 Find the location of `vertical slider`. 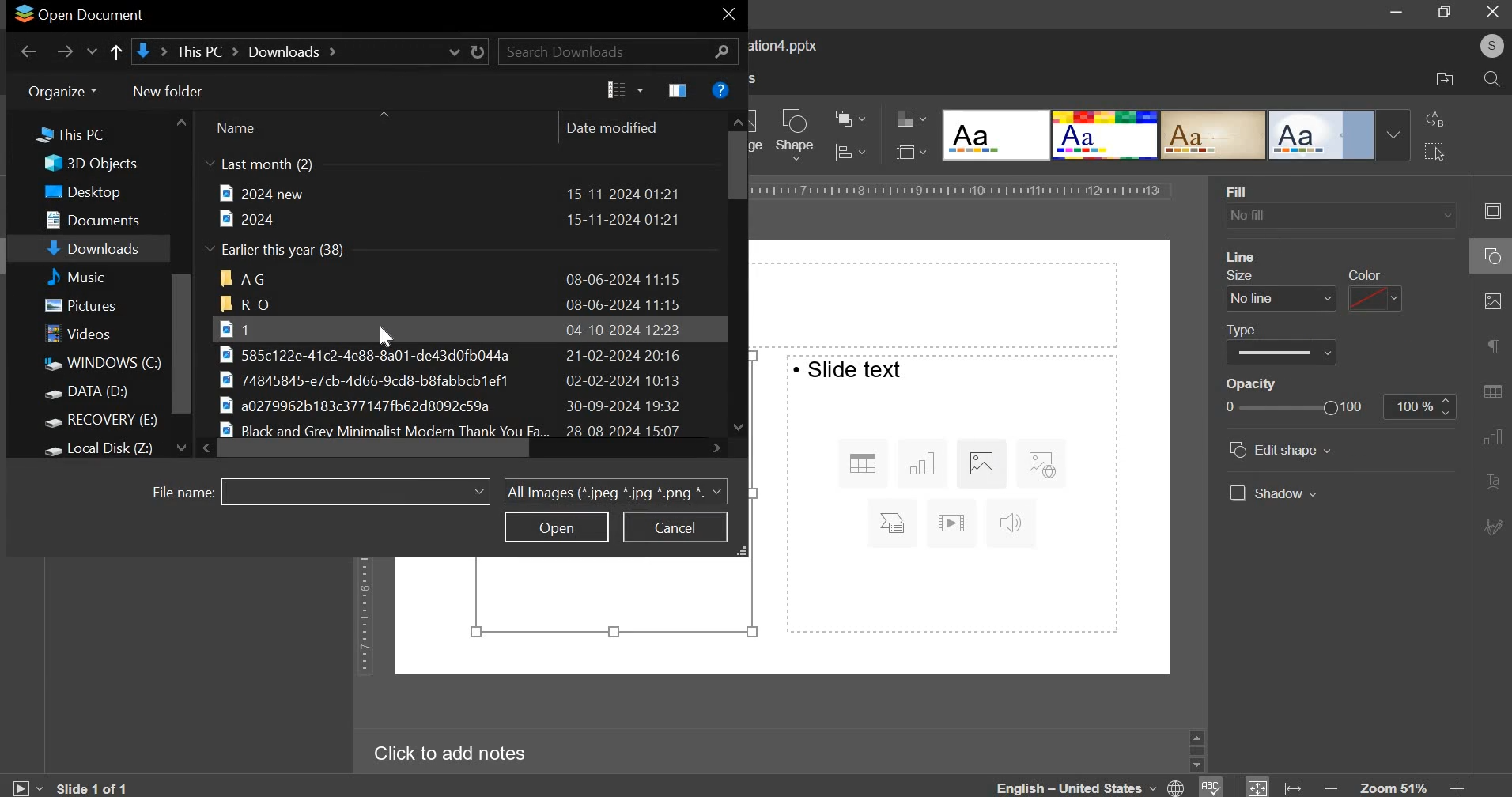

vertical slider is located at coordinates (738, 272).